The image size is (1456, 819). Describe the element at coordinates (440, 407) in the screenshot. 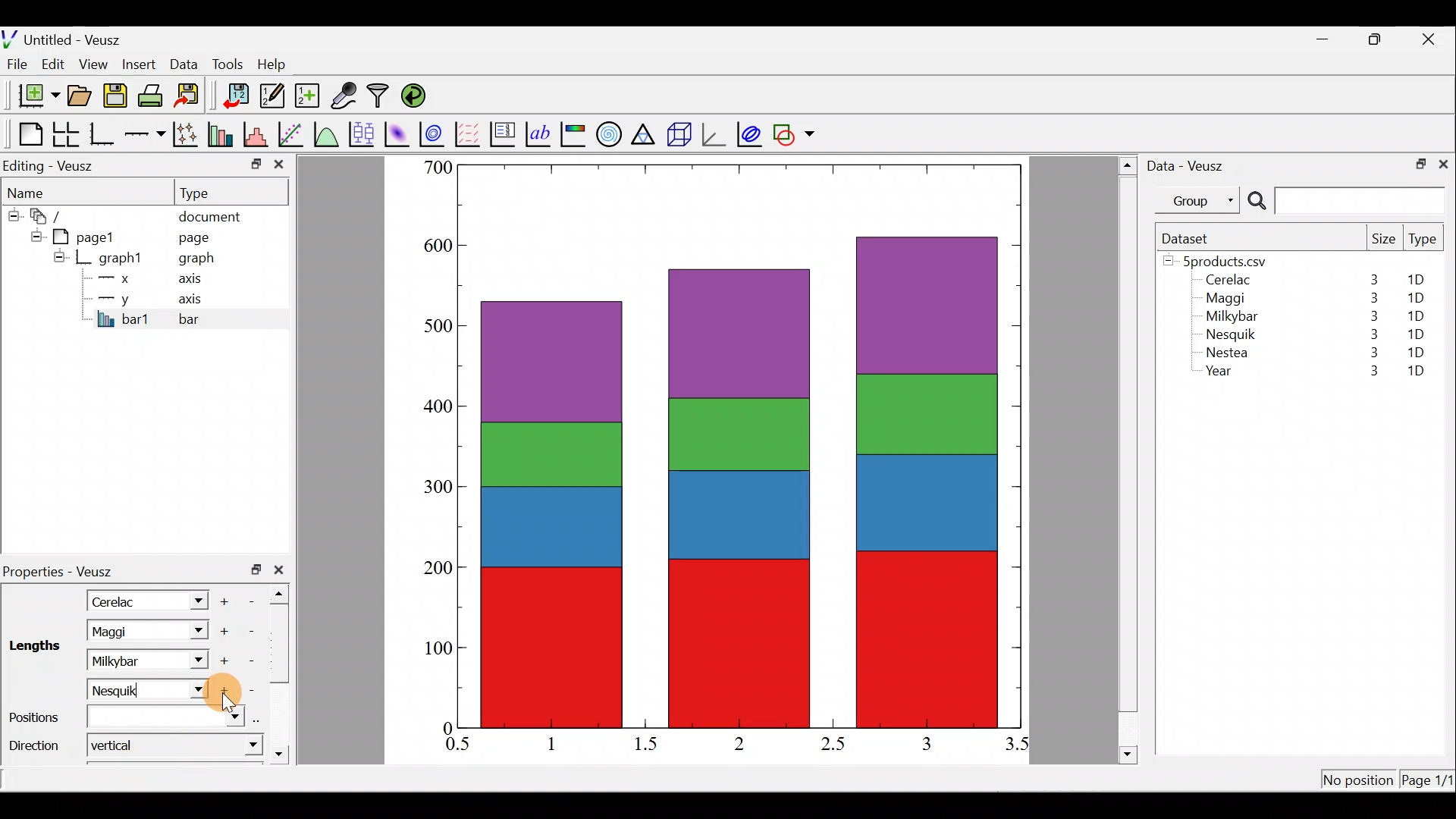

I see `400` at that location.